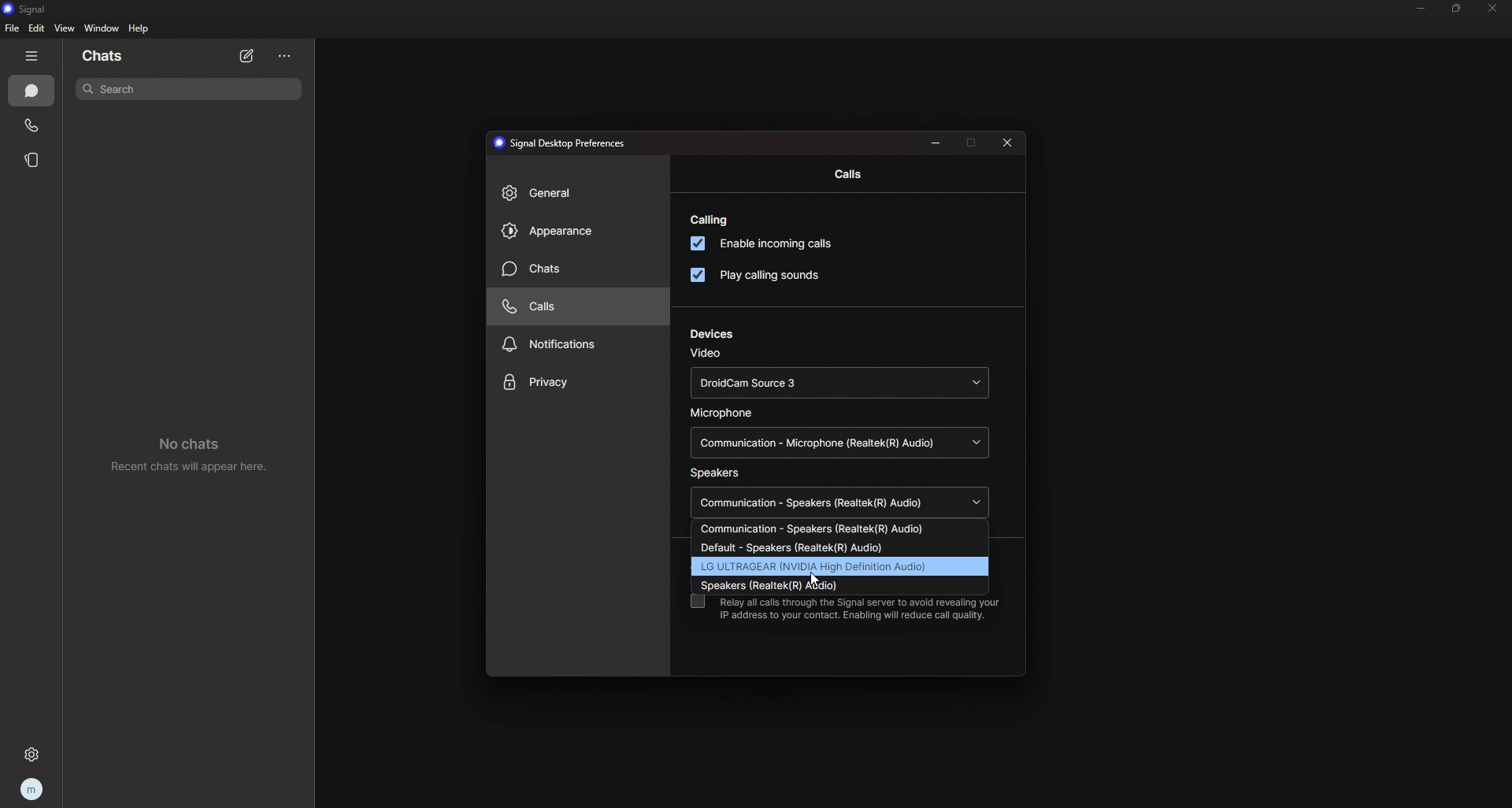 This screenshot has height=808, width=1512. I want to click on speakers, so click(715, 475).